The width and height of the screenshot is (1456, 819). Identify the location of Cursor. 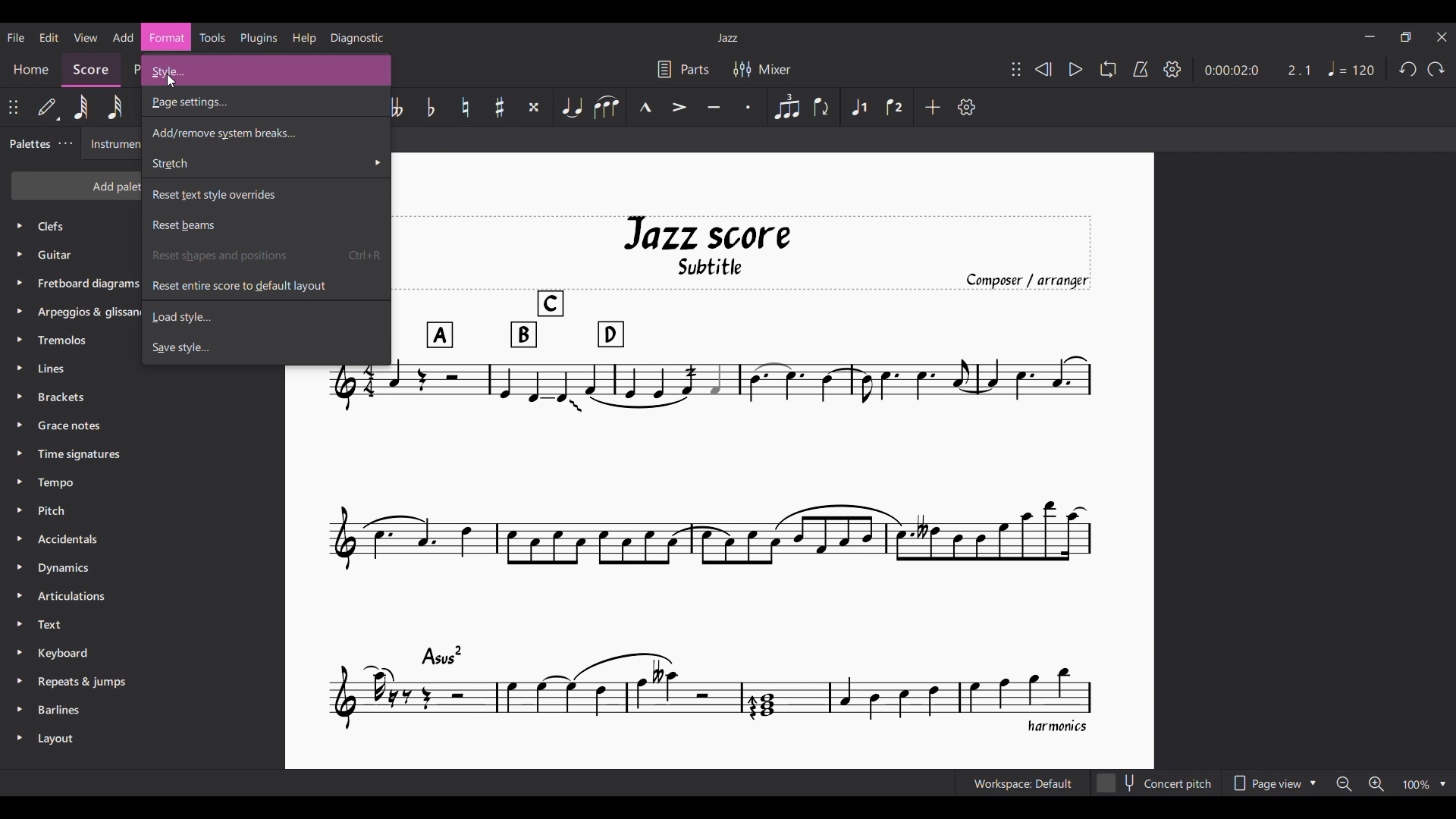
(184, 78).